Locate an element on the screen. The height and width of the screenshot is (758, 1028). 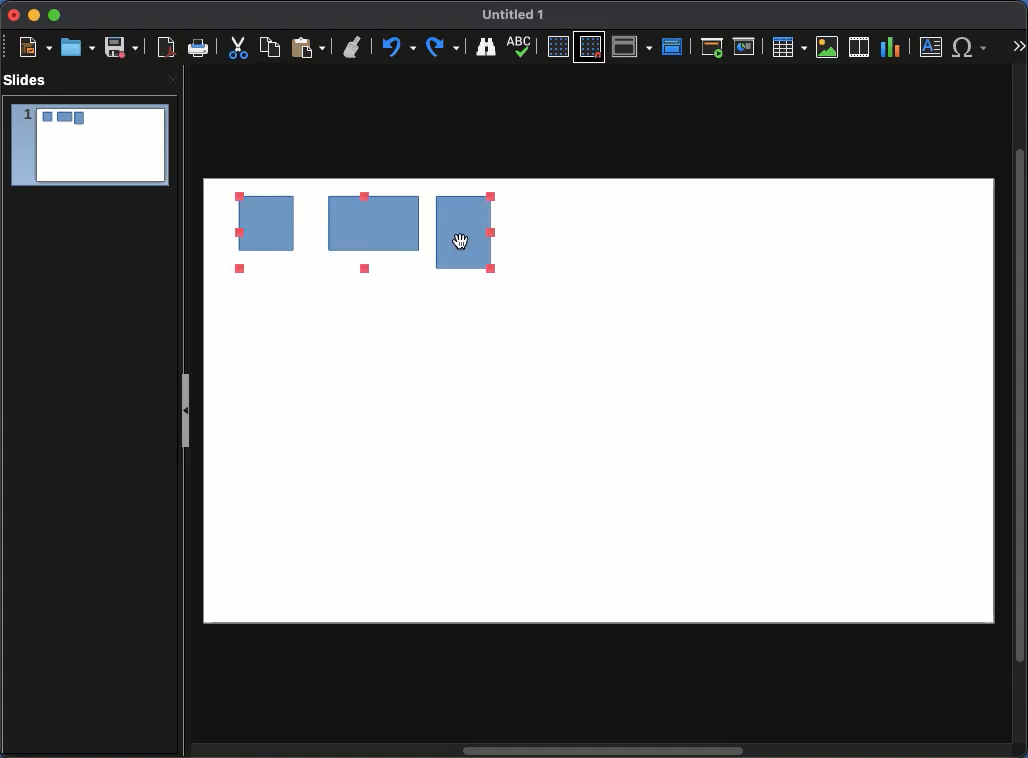
Snap to grid is located at coordinates (590, 48).